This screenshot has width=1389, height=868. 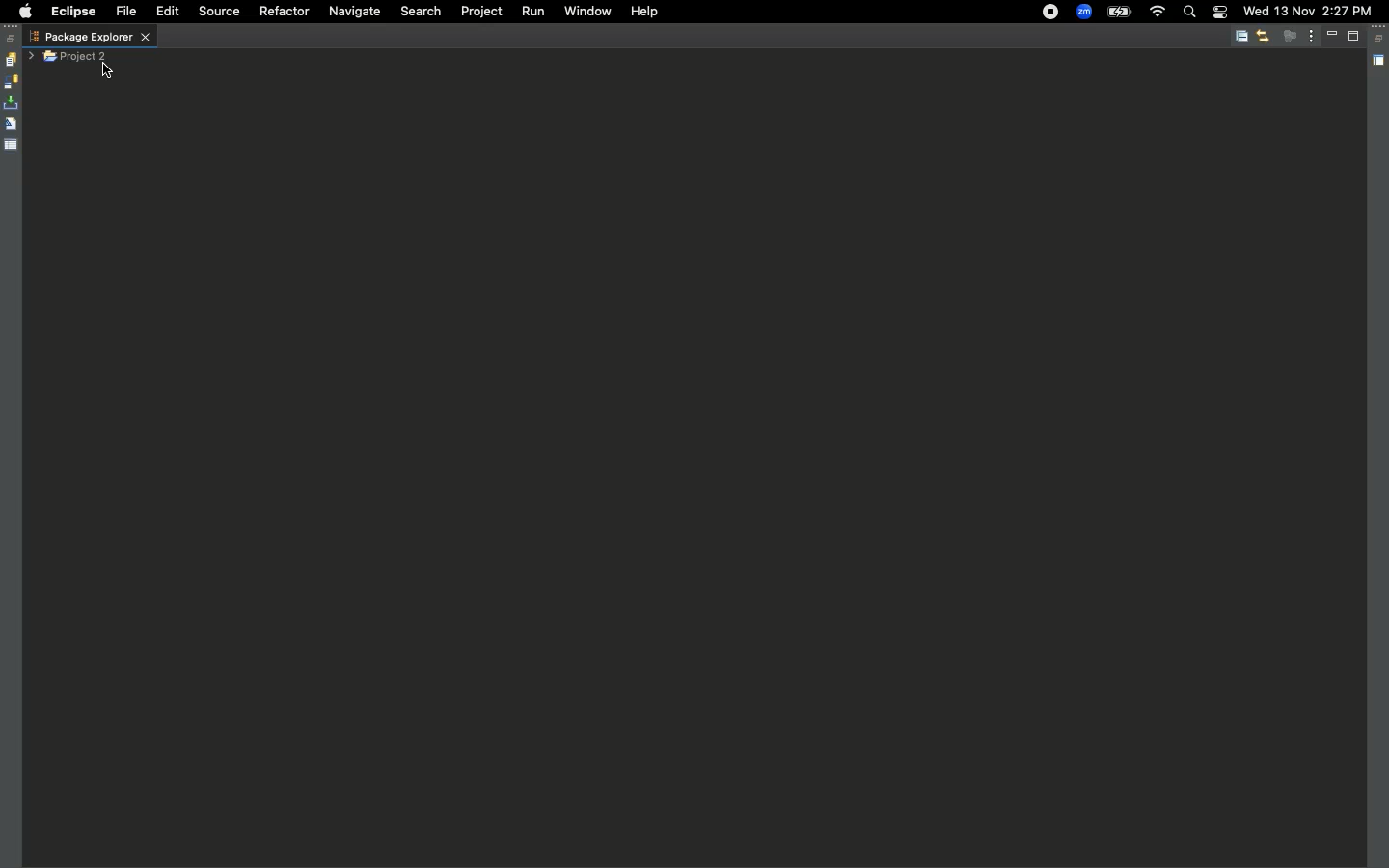 What do you see at coordinates (641, 11) in the screenshot?
I see `Help` at bounding box center [641, 11].